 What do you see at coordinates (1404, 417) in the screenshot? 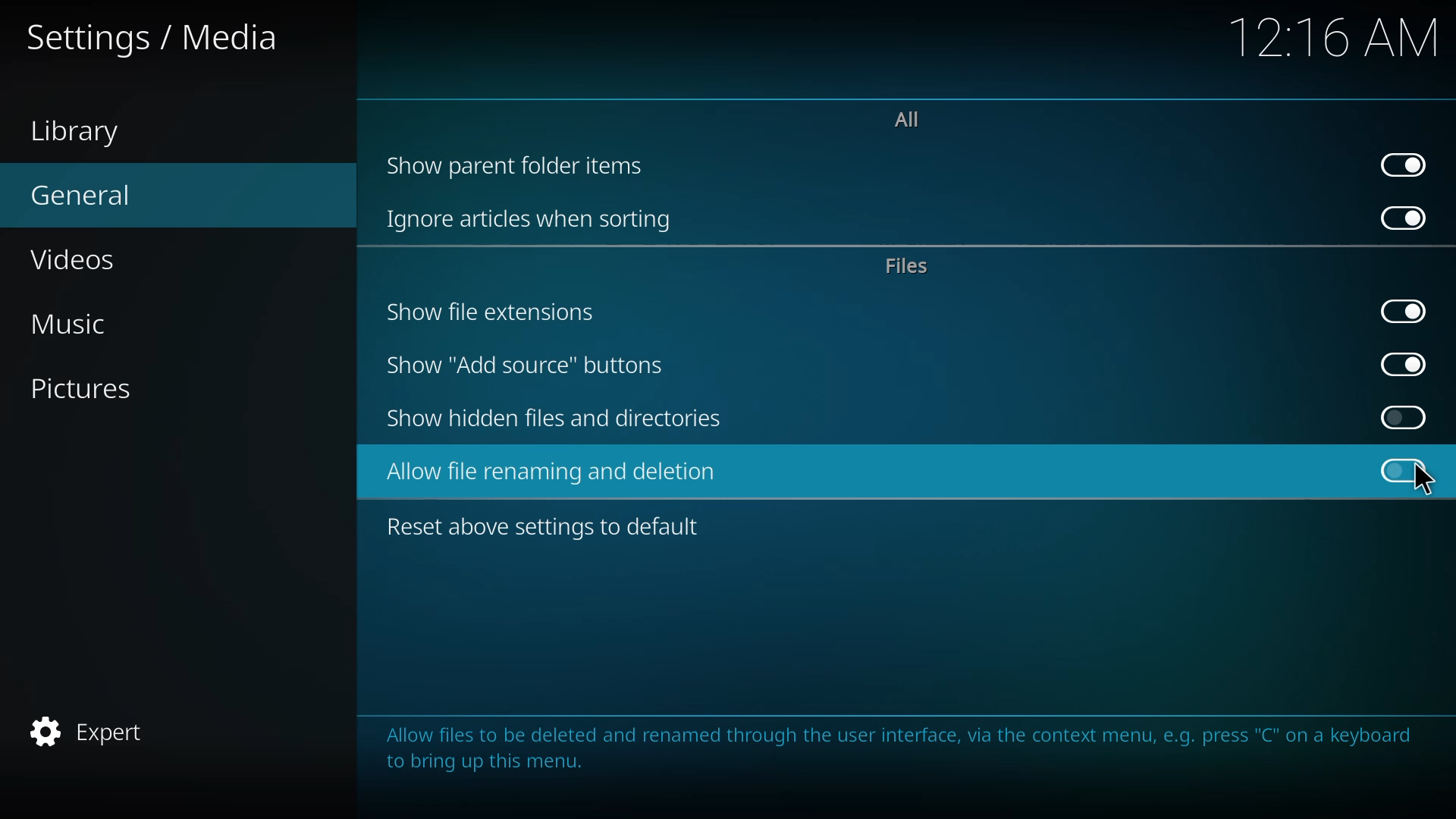
I see `click to enable` at bounding box center [1404, 417].